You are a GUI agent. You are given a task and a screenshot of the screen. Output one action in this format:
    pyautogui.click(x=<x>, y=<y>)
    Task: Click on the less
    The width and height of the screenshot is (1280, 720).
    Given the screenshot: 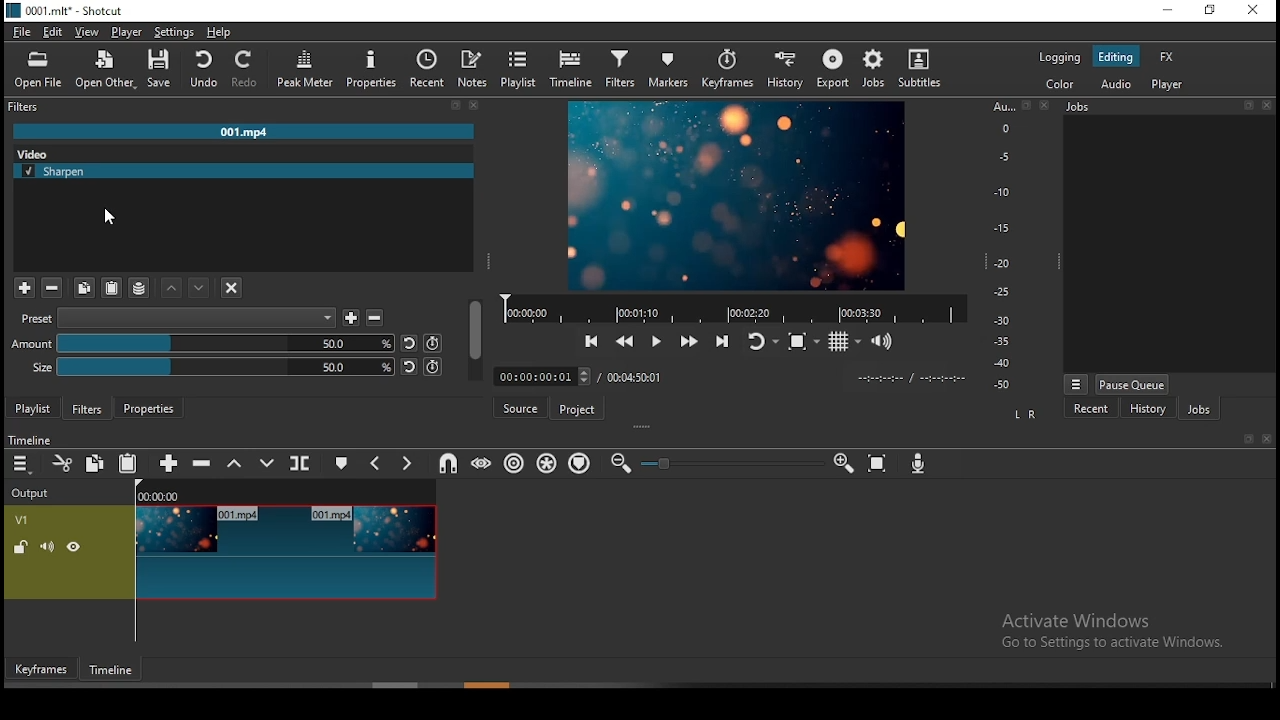 What is the action you would take?
    pyautogui.click(x=378, y=317)
    